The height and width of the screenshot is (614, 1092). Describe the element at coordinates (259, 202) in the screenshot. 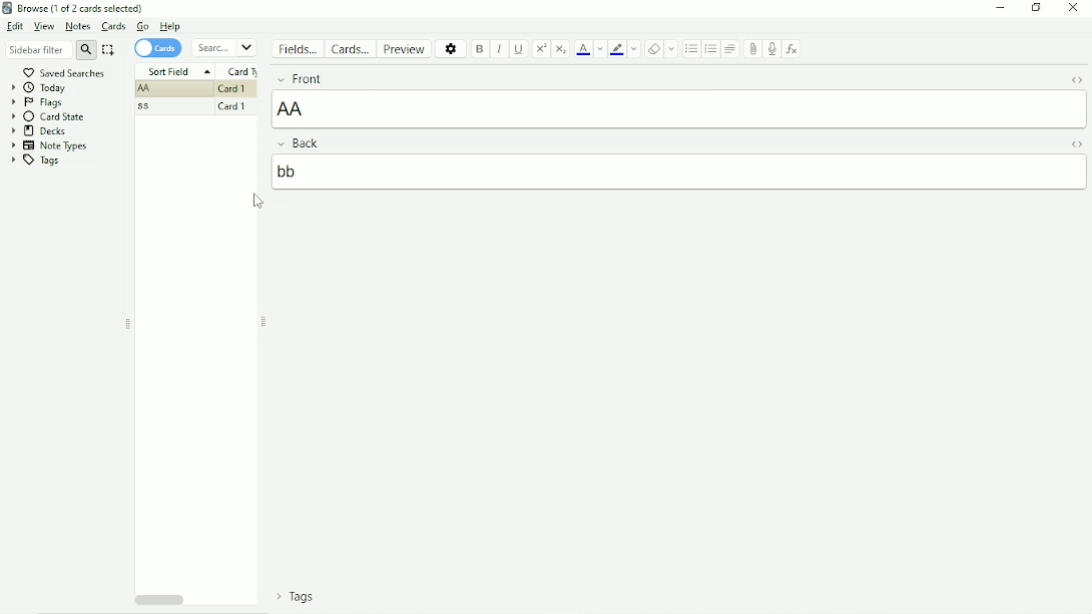

I see `Cursor` at that location.